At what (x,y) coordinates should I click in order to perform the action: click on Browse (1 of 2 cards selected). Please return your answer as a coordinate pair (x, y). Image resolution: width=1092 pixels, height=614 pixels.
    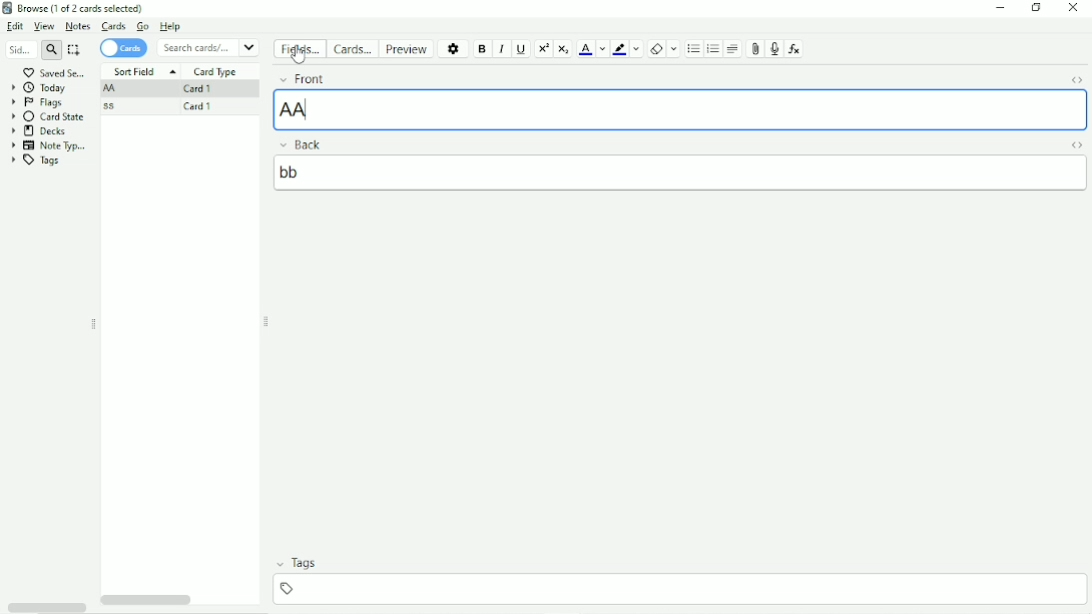
    Looking at the image, I should click on (85, 8).